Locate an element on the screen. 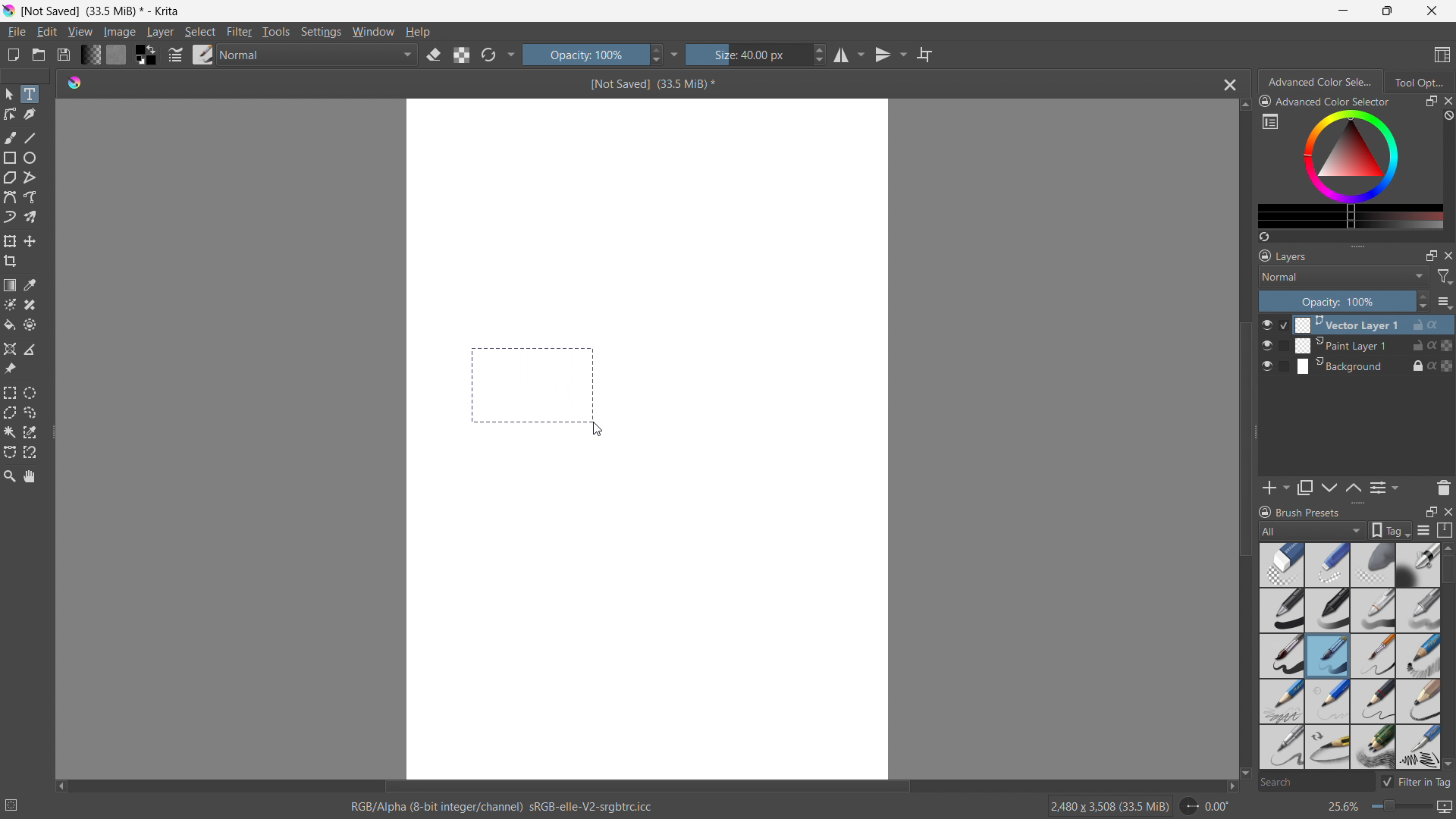 Image resolution: width=1456 pixels, height=819 pixels. multibrush tool is located at coordinates (30, 217).